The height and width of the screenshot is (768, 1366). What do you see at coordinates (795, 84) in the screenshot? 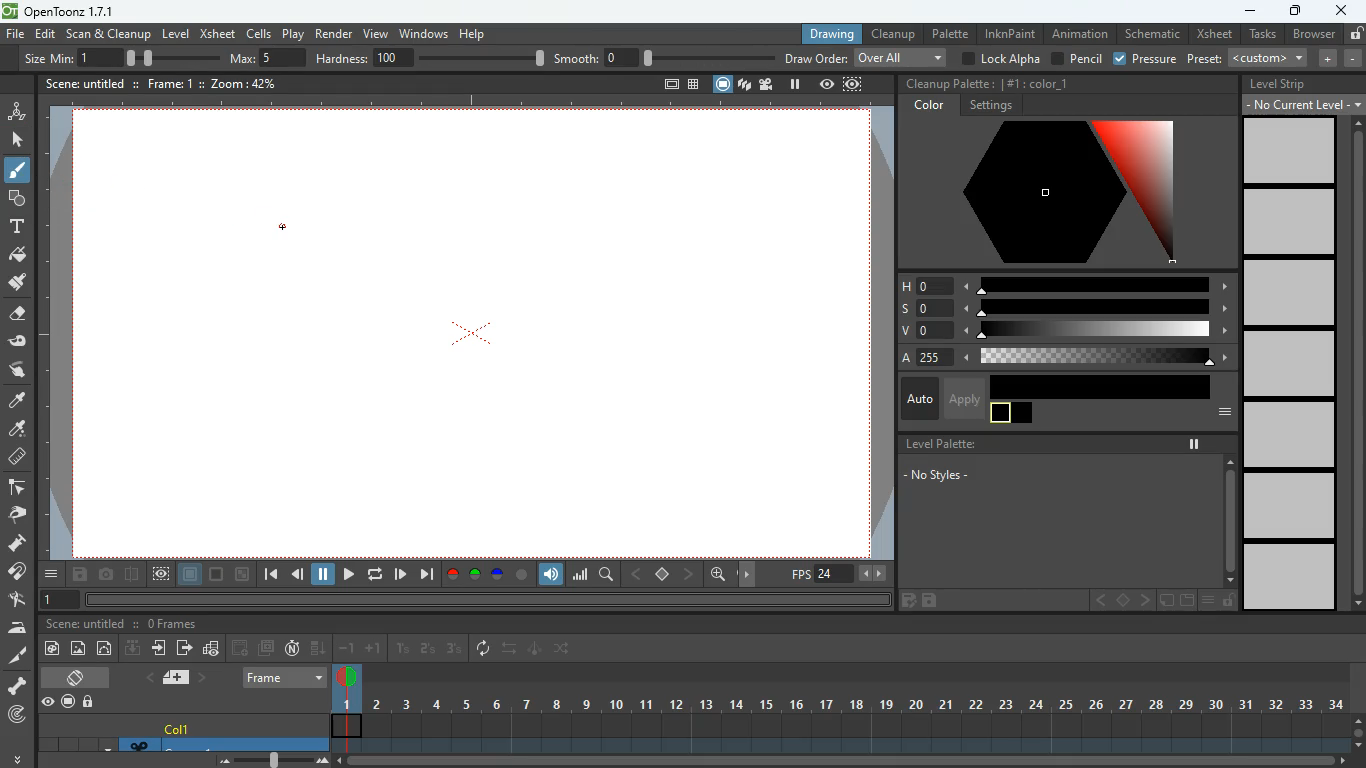
I see `pause` at bounding box center [795, 84].